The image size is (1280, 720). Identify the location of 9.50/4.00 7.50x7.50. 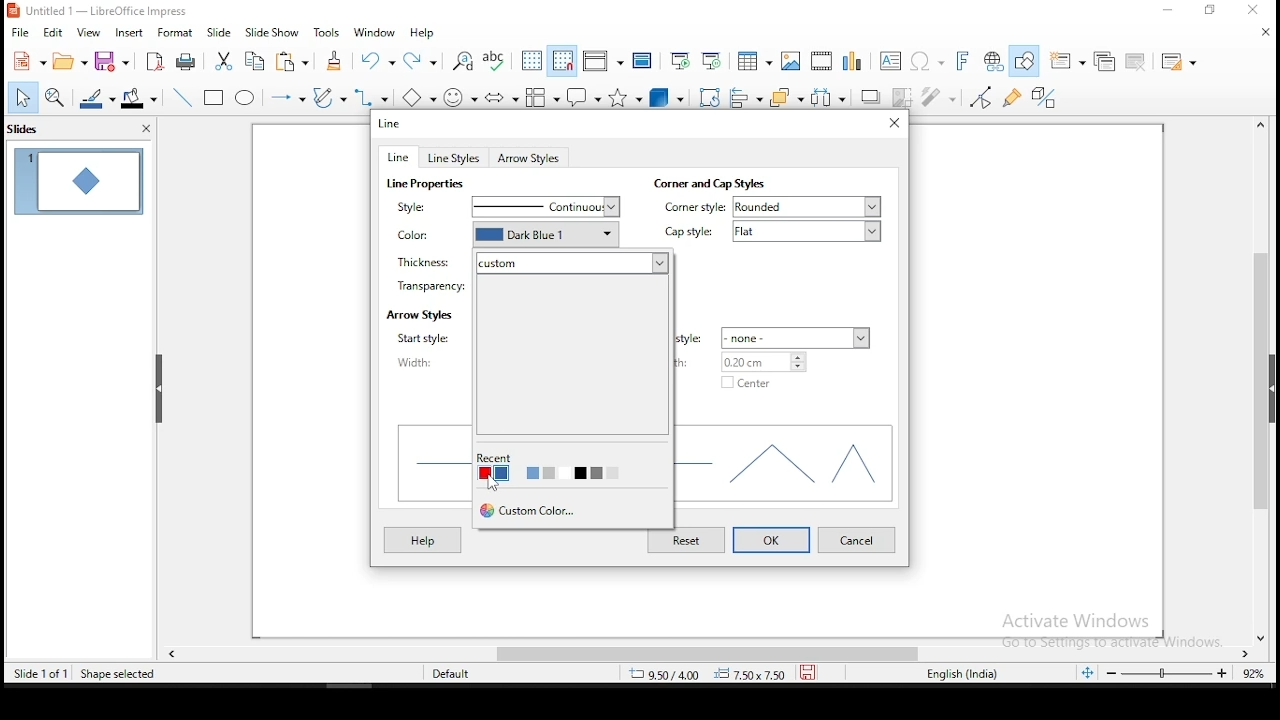
(699, 675).